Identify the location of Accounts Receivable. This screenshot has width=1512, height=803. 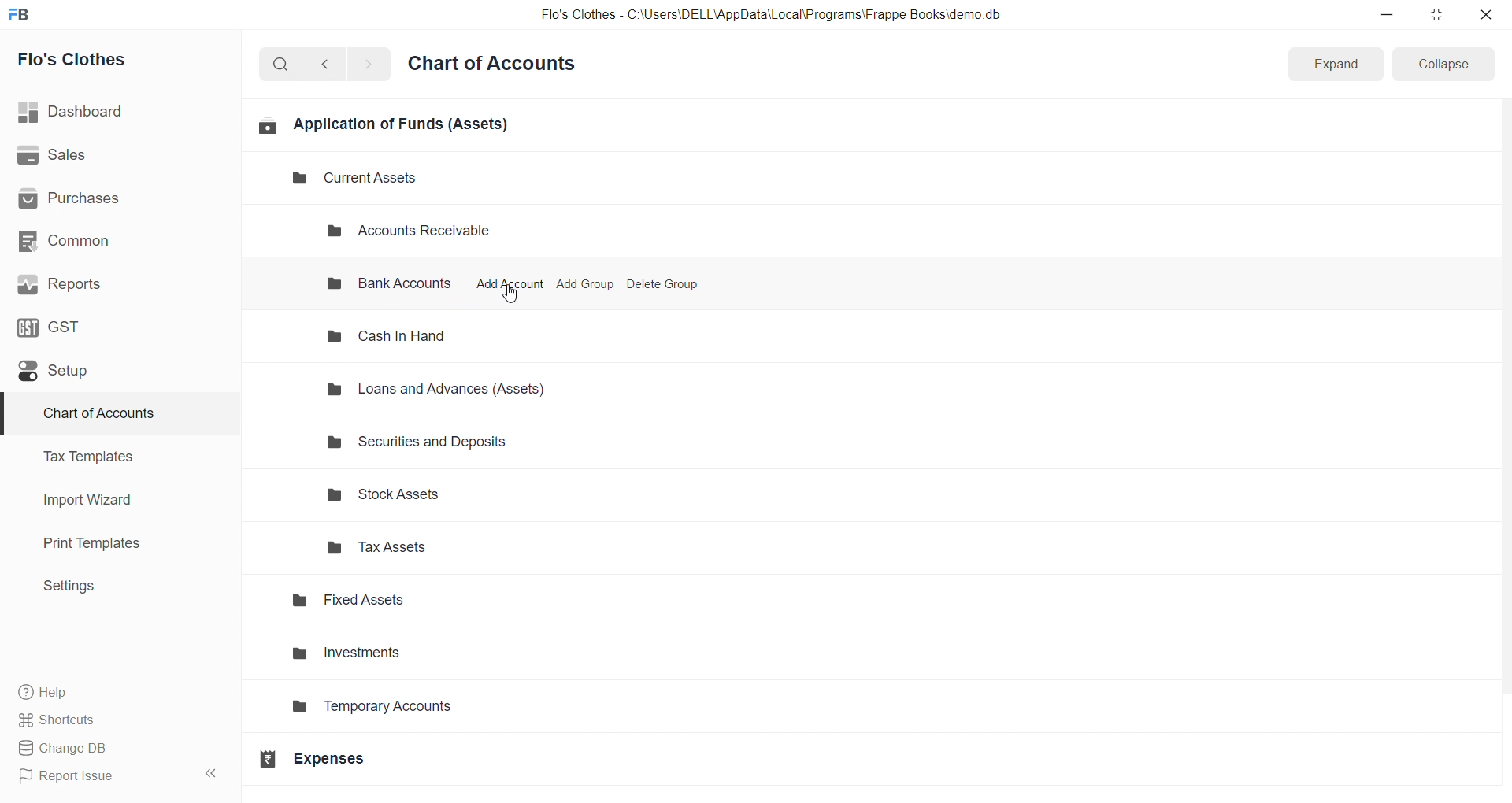
(422, 231).